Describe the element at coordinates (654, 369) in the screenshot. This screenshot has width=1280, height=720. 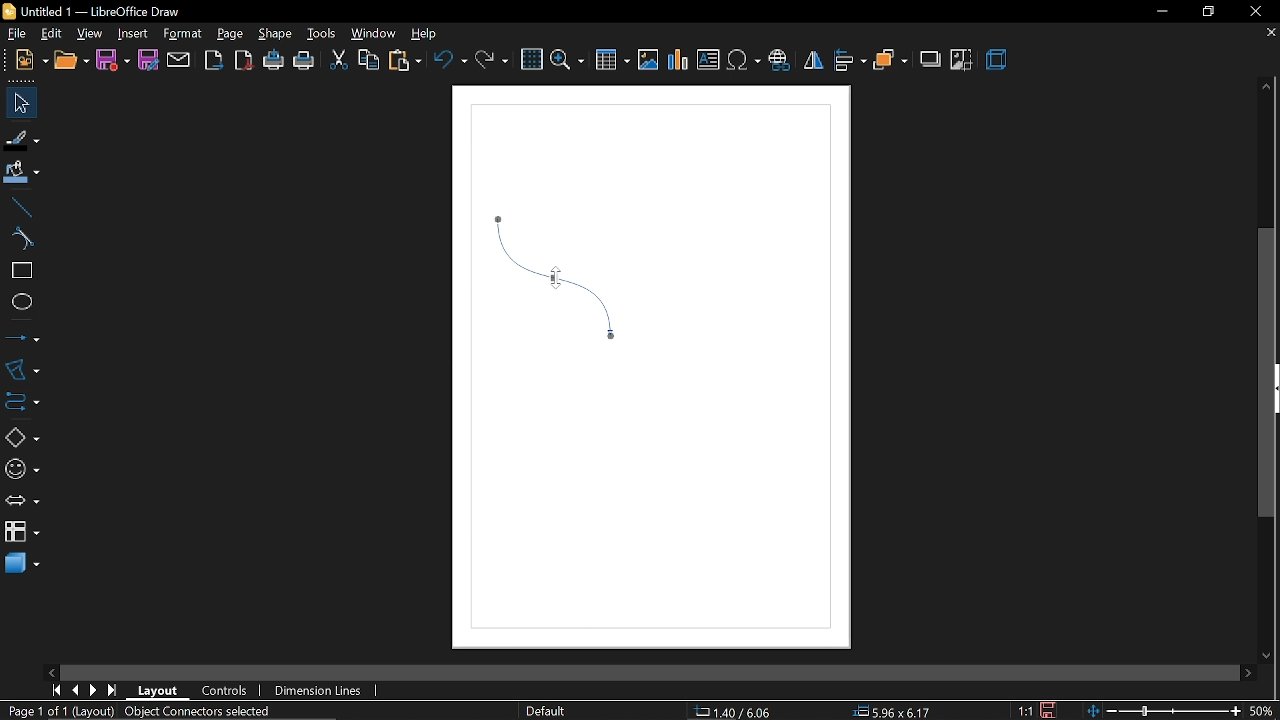
I see `Canvas` at that location.